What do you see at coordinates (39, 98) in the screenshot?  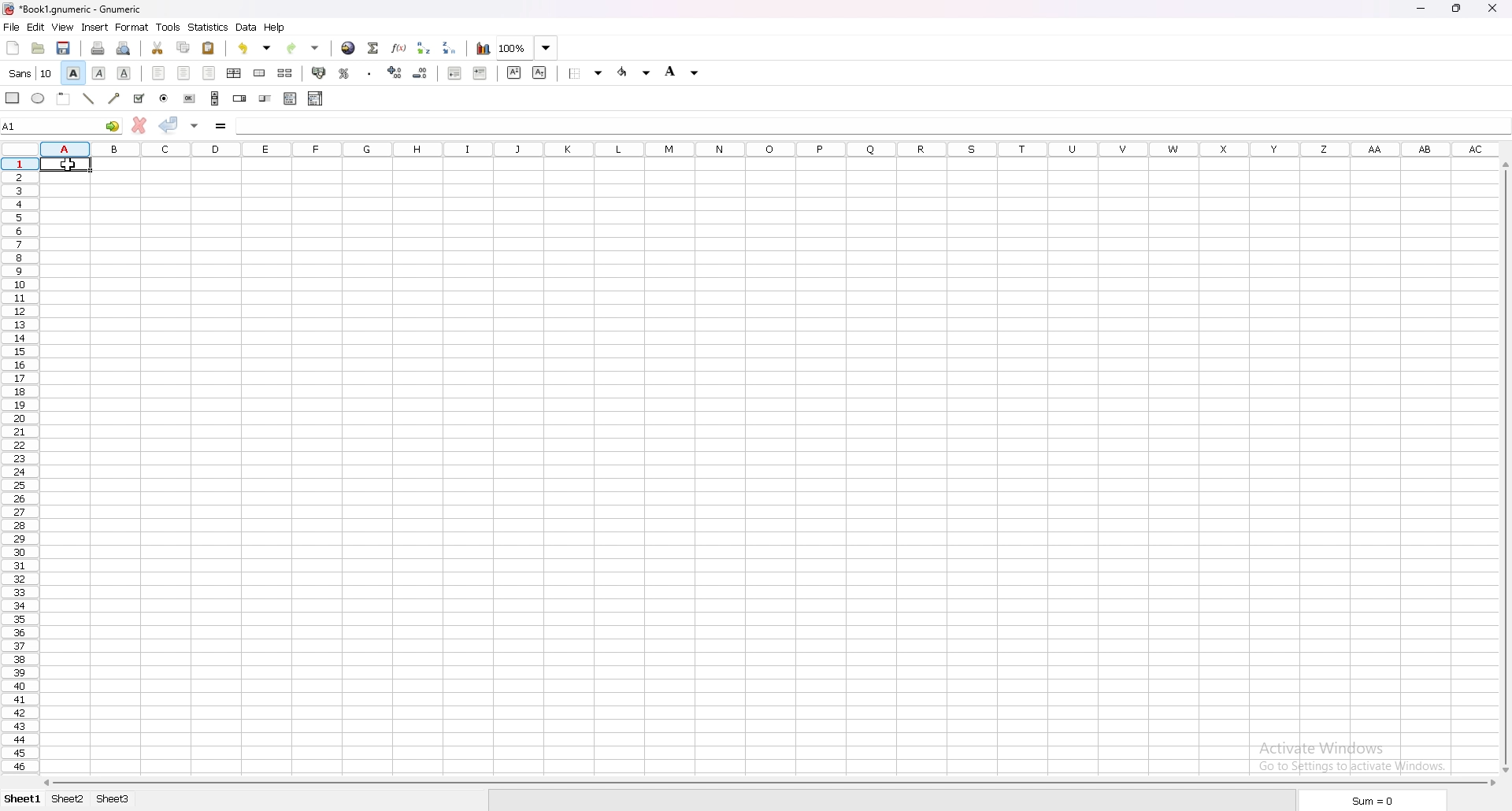 I see `ellipse` at bounding box center [39, 98].